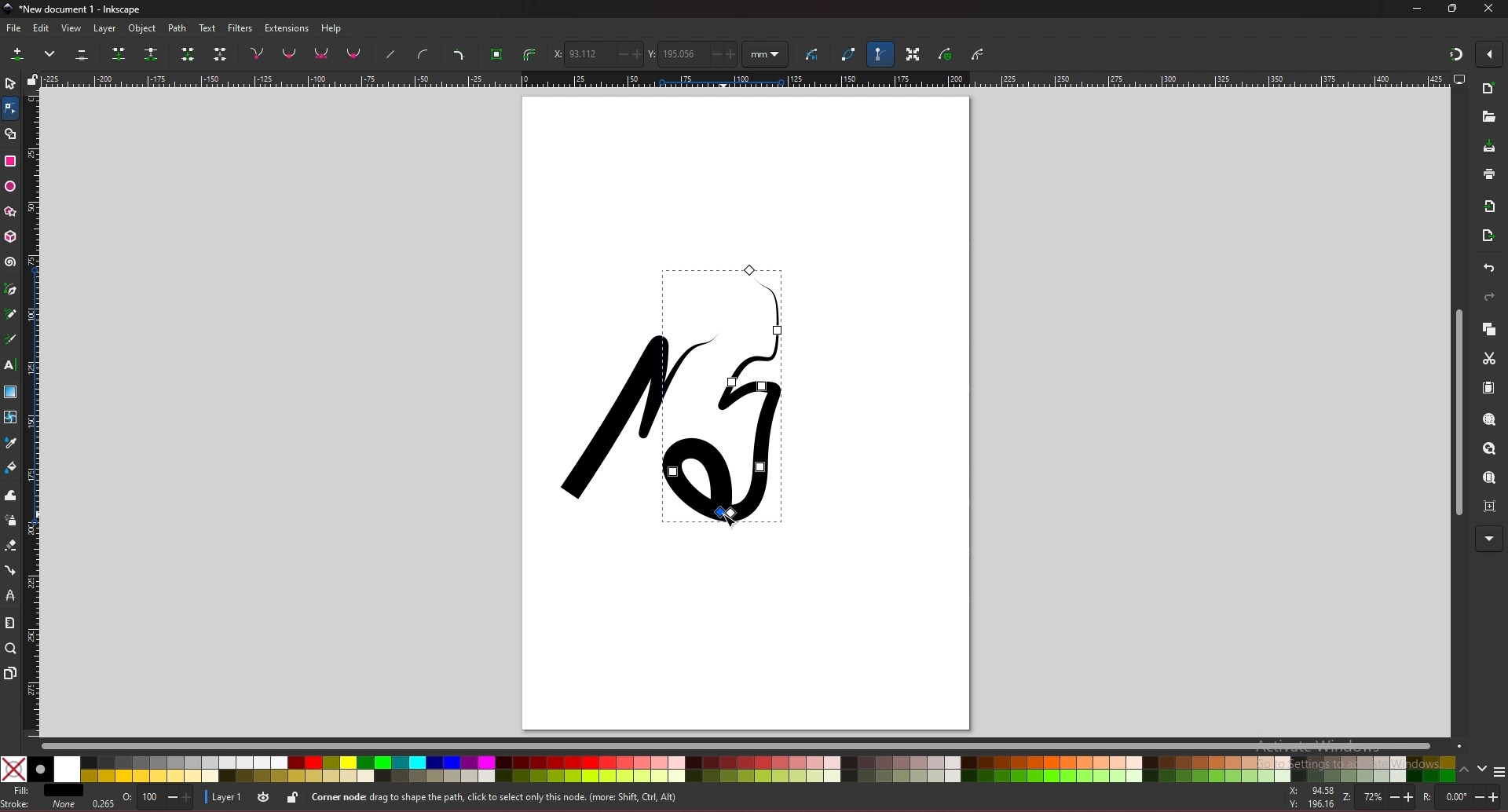 This screenshot has width=1508, height=812. Describe the element at coordinates (1308, 797) in the screenshot. I see `x and y coordinates` at that location.